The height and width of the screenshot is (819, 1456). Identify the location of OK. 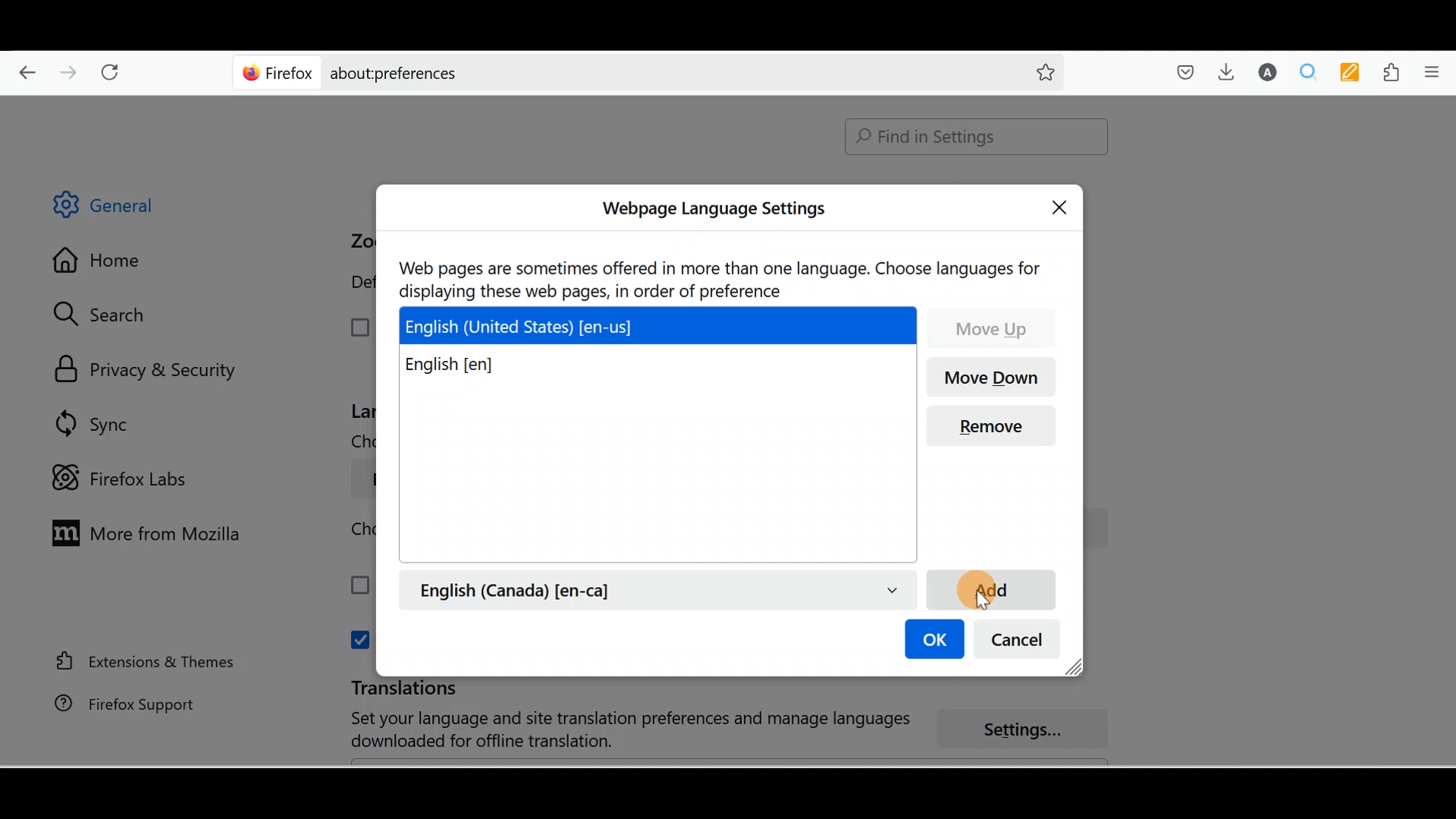
(932, 641).